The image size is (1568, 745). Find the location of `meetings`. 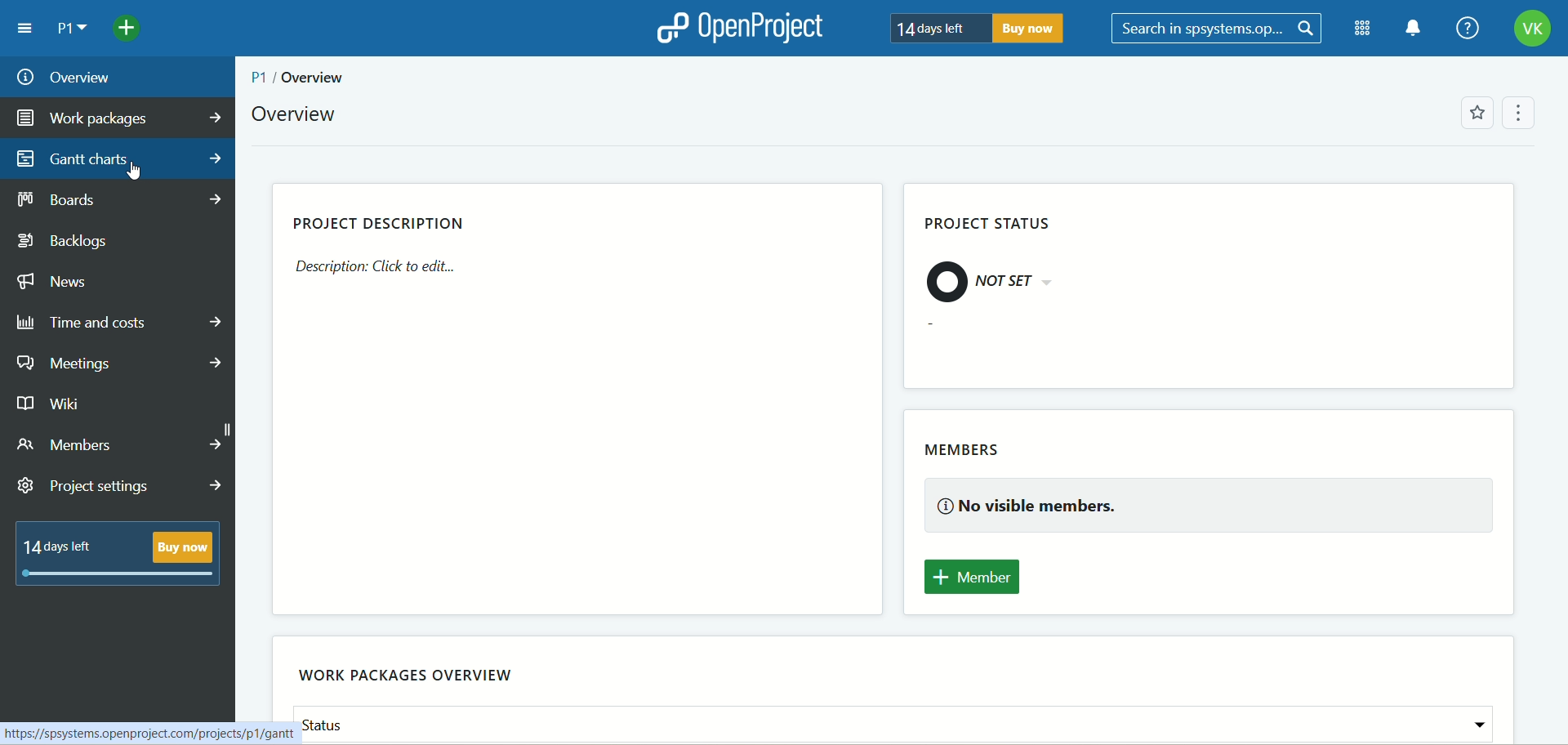

meetings is located at coordinates (121, 364).